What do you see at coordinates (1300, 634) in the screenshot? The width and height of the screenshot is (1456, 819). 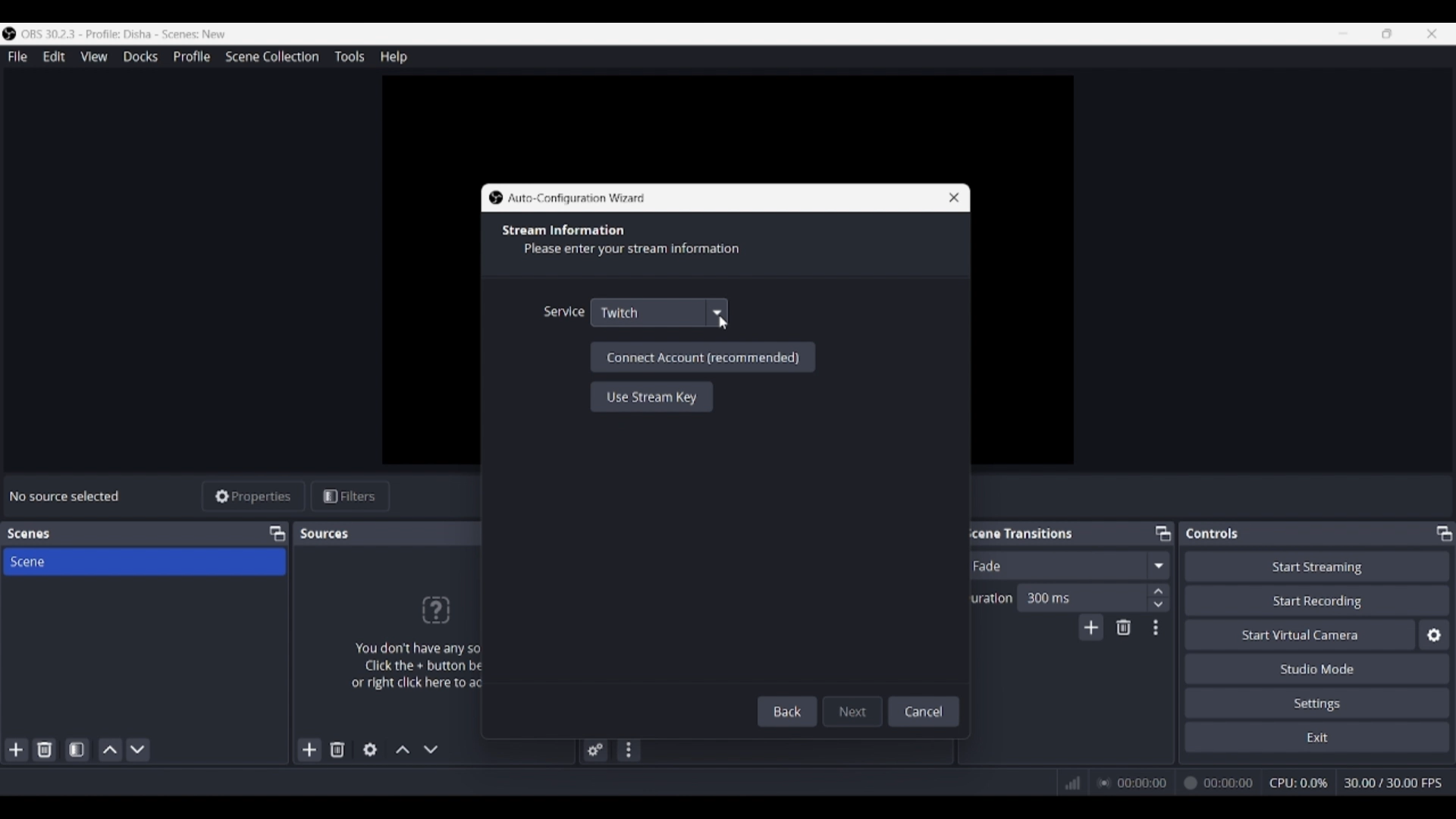 I see `Start virtual camera` at bounding box center [1300, 634].